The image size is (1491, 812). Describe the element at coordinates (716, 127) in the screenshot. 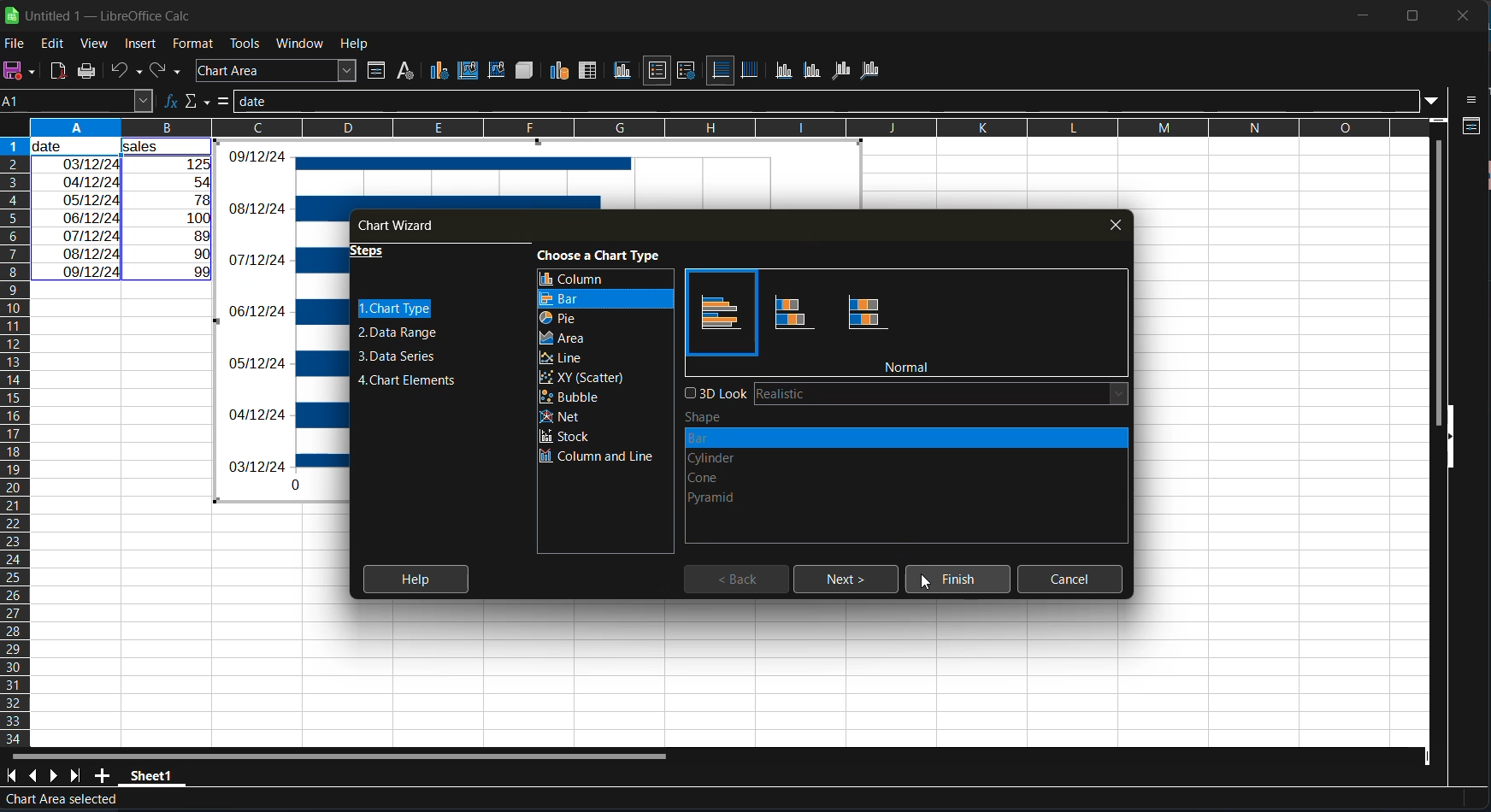

I see `rows` at that location.